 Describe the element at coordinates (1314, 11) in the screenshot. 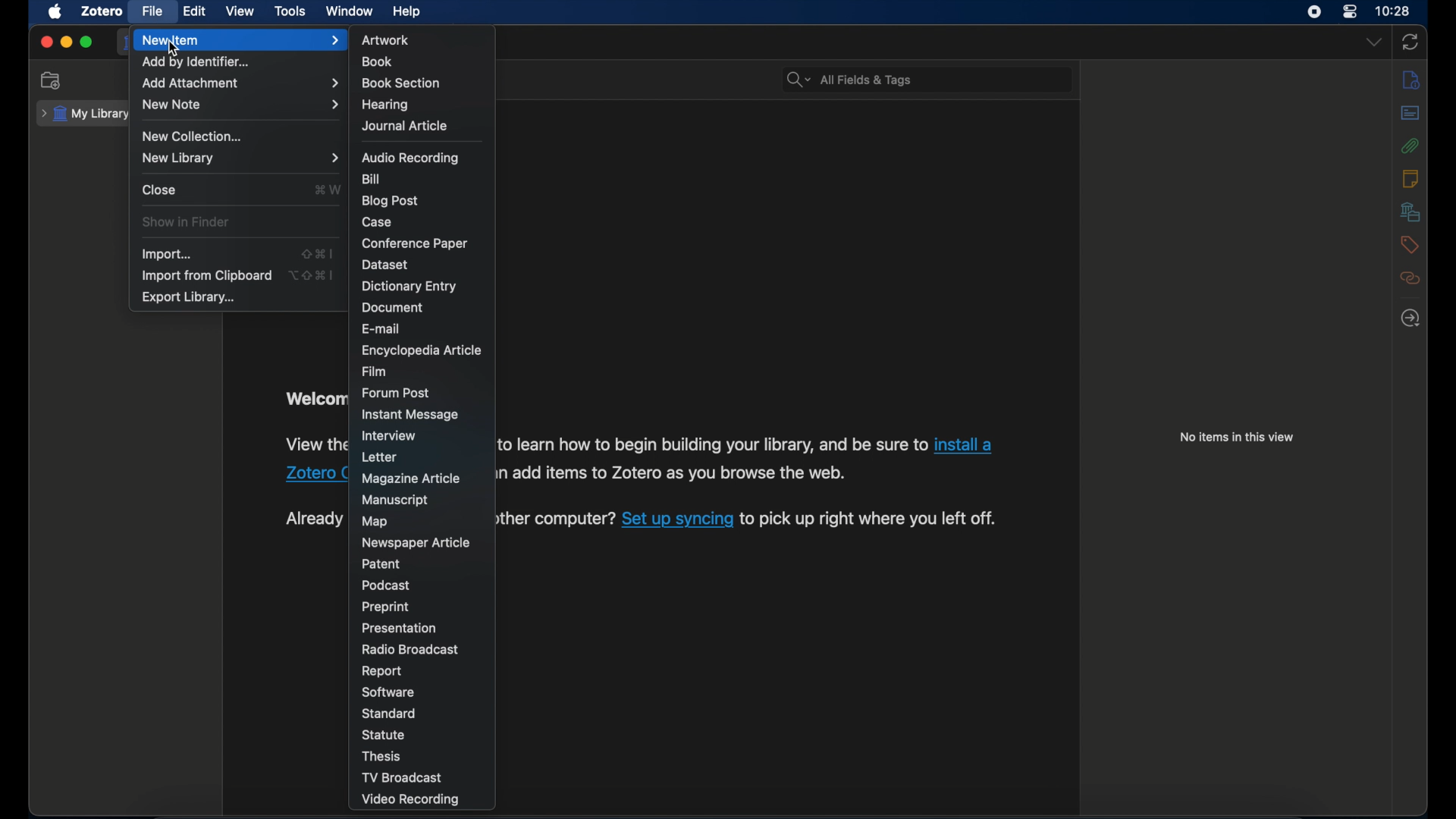

I see `screen recorder` at that location.